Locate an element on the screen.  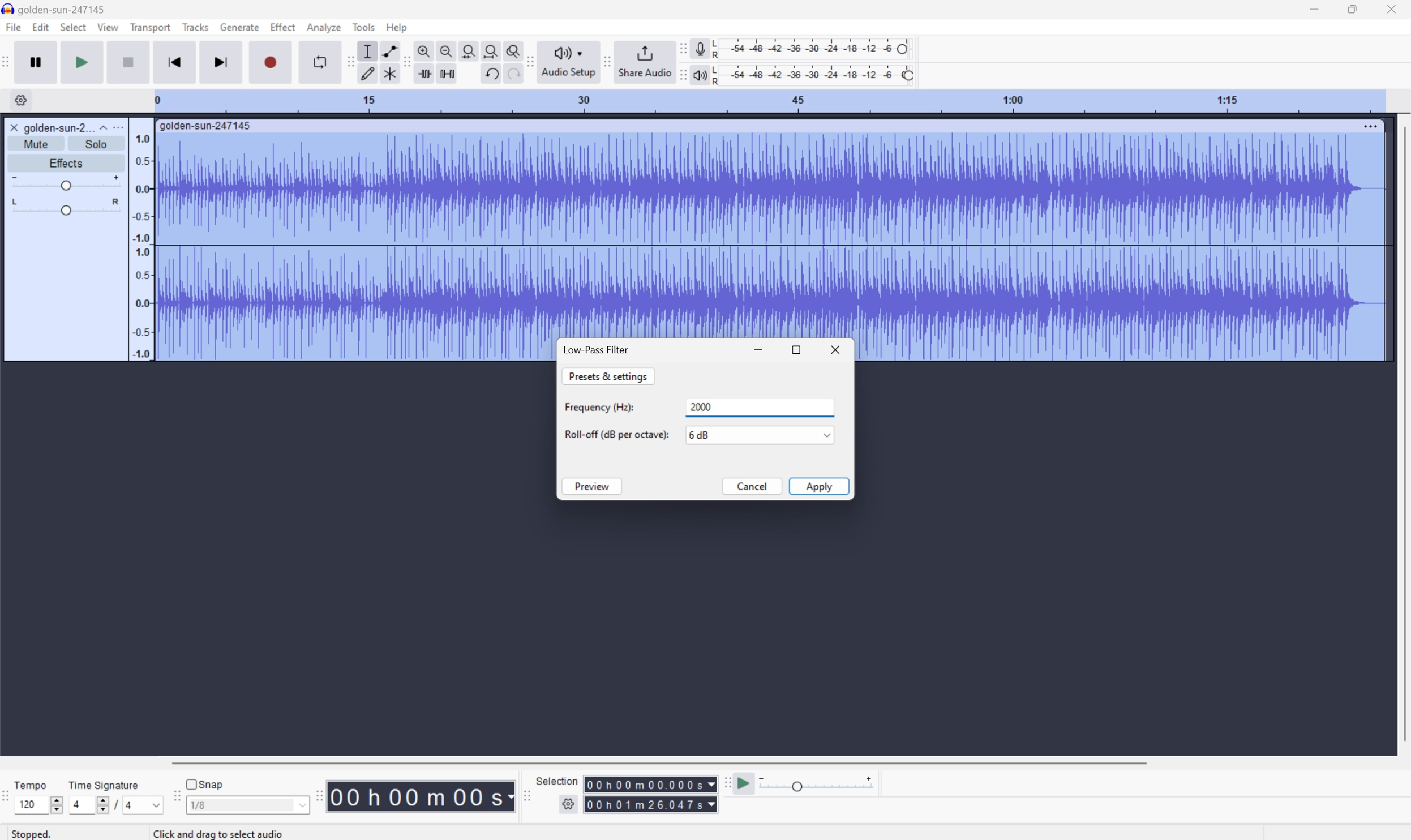
Skip to start is located at coordinates (175, 61).